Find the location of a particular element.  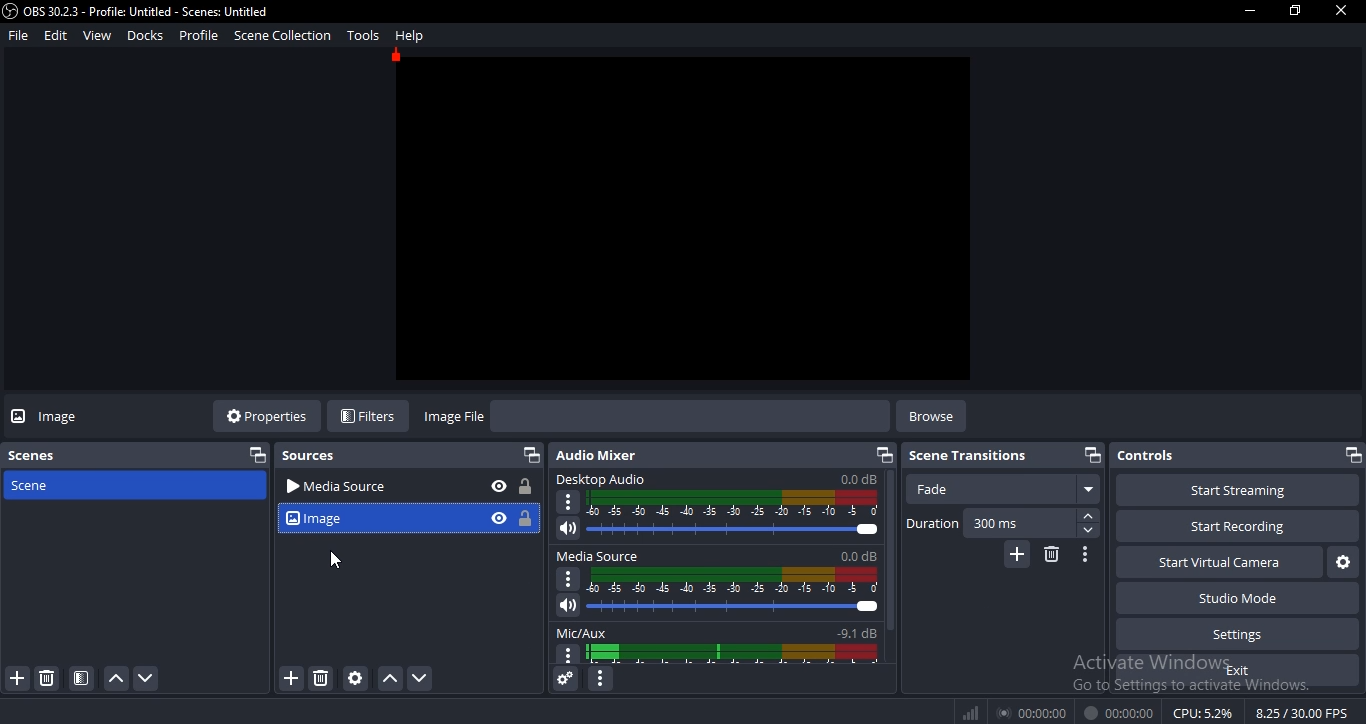

profile is located at coordinates (197, 37).